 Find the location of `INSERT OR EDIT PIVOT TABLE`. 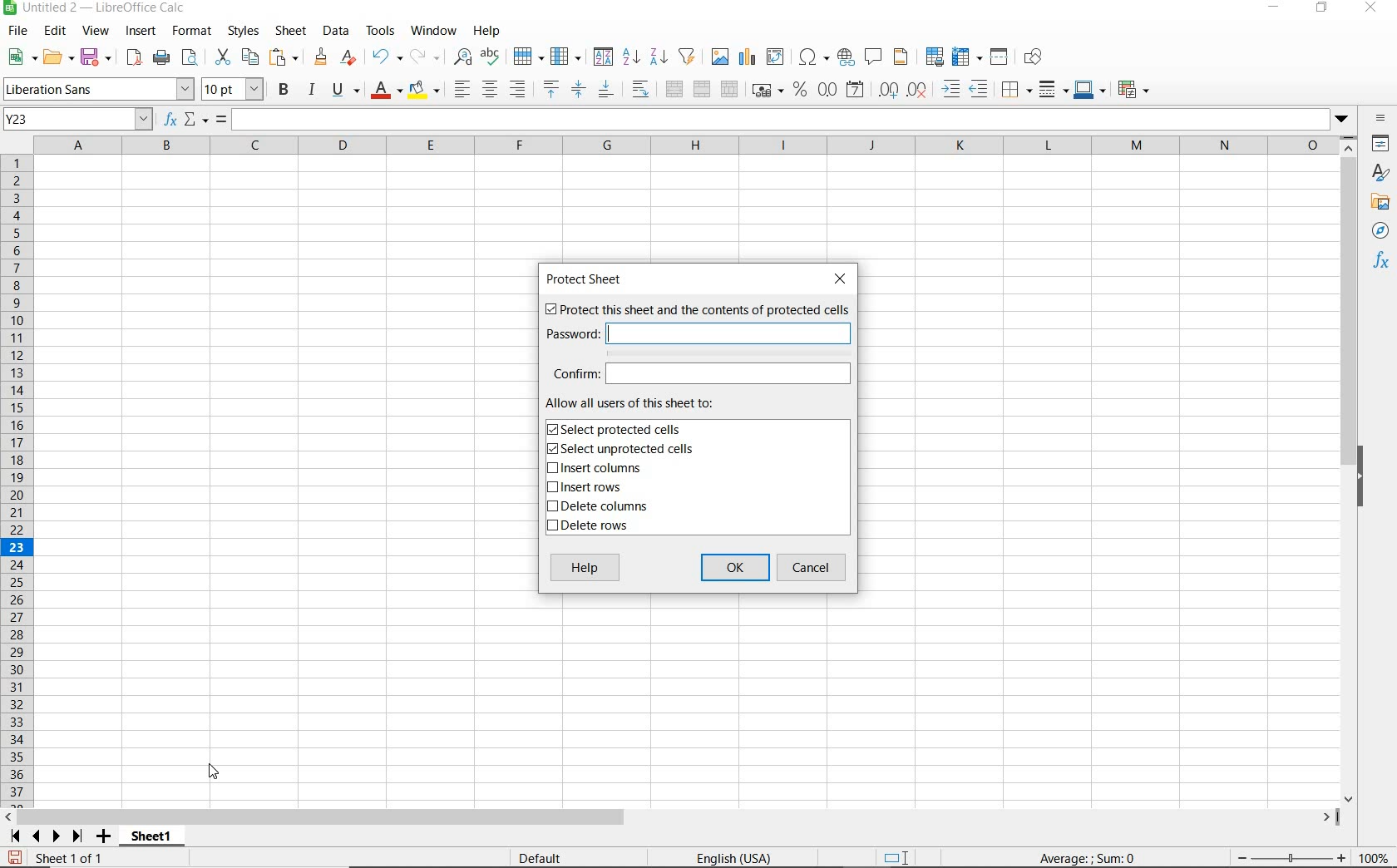

INSERT OR EDIT PIVOT TABLE is located at coordinates (776, 57).